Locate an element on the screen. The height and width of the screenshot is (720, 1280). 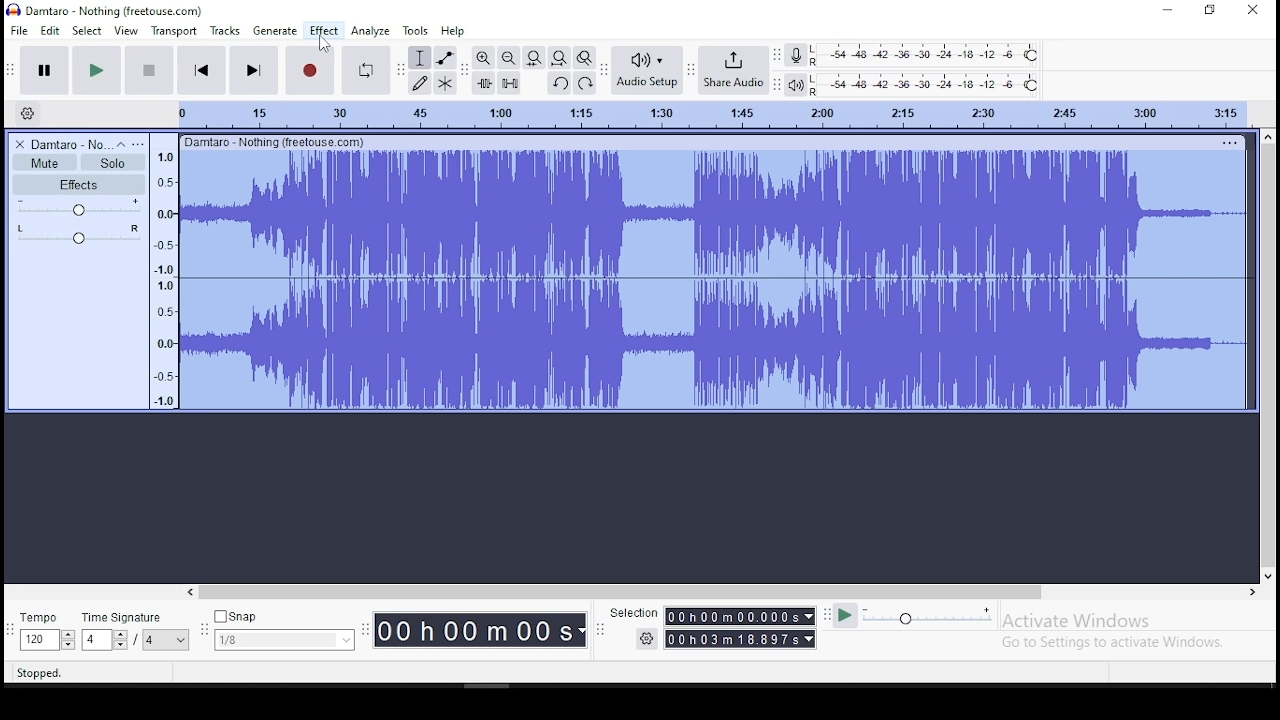
file is located at coordinates (18, 29).